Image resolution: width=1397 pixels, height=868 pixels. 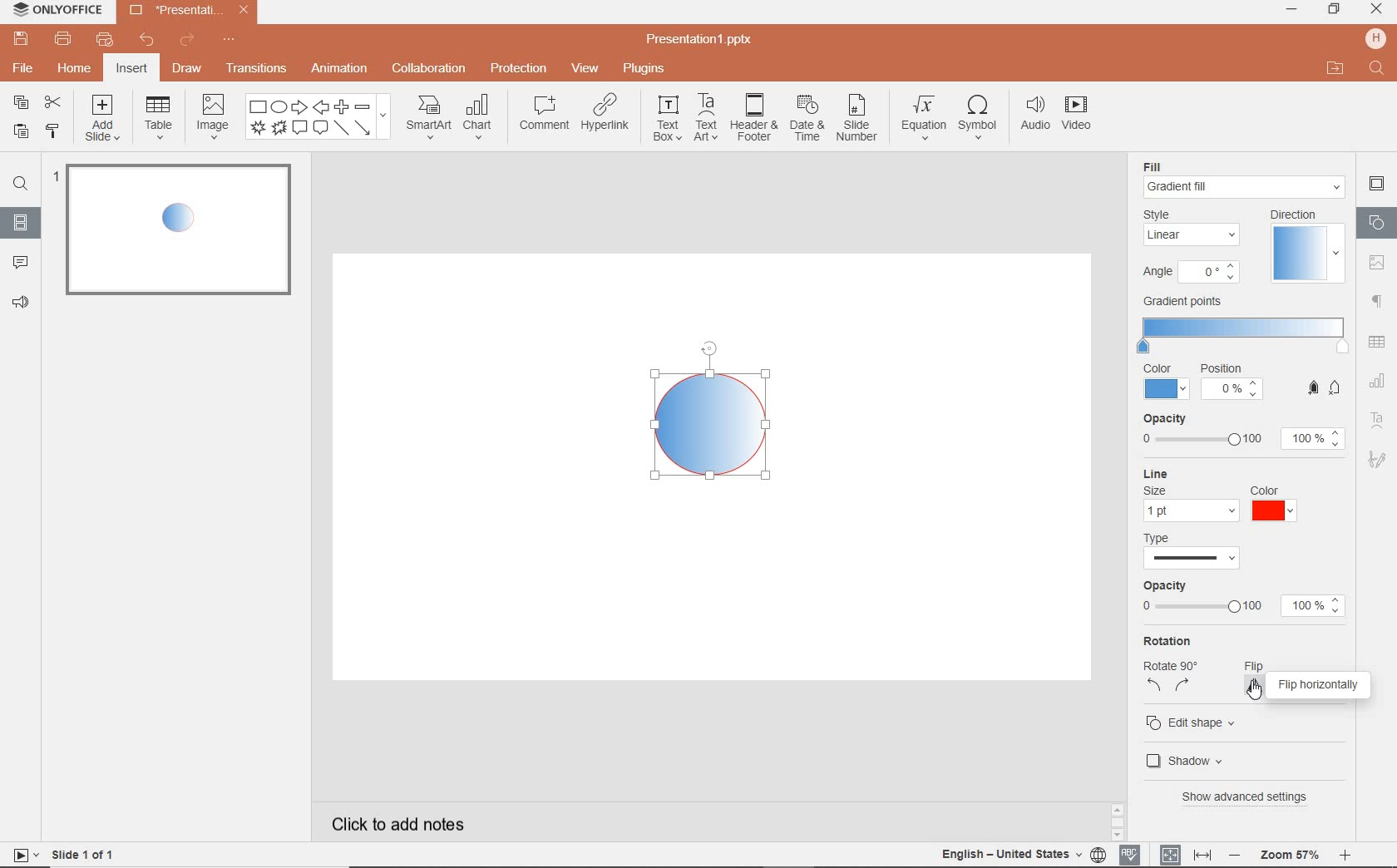 What do you see at coordinates (1202, 852) in the screenshot?
I see `fit to width` at bounding box center [1202, 852].